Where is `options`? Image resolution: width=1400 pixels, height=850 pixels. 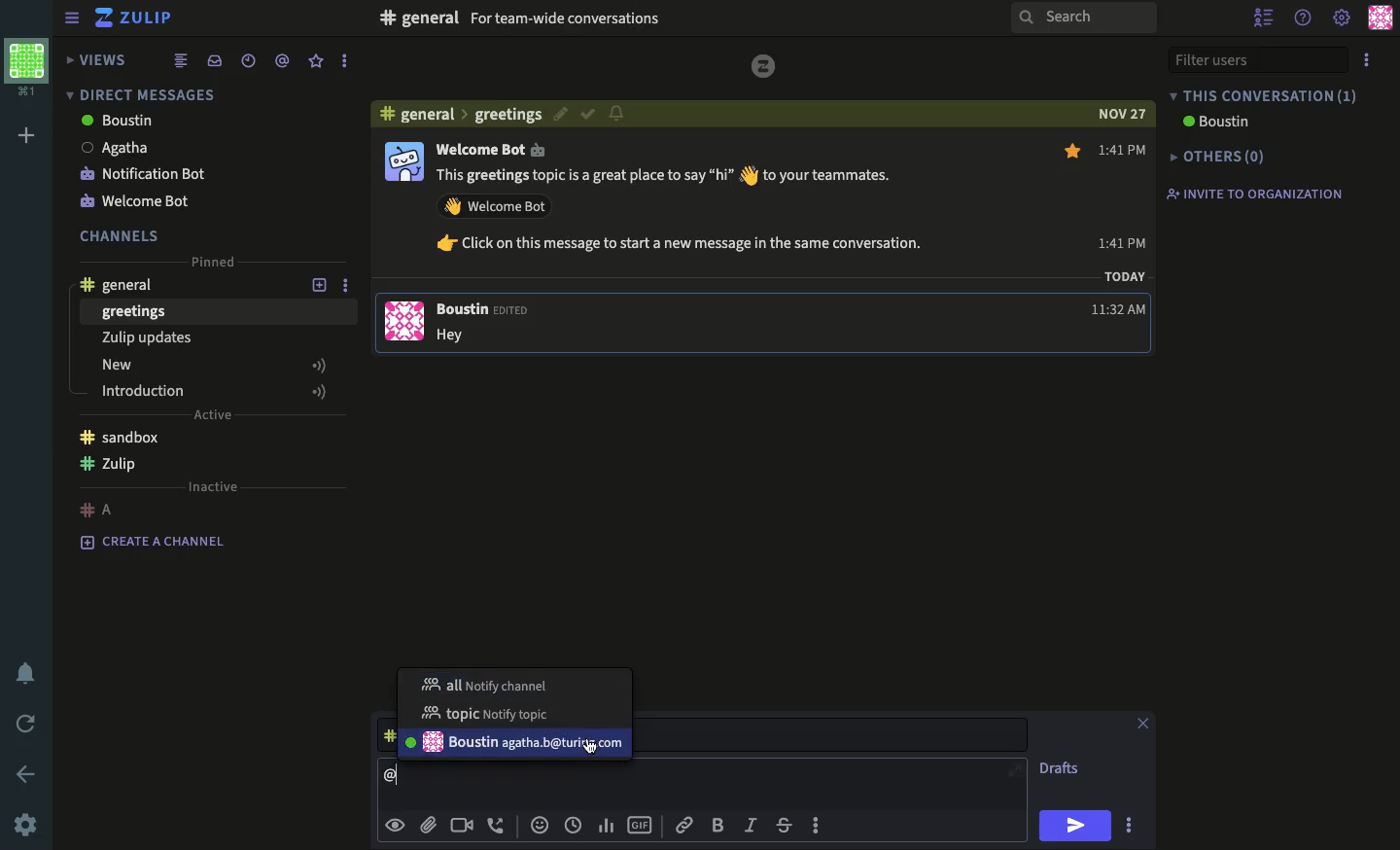
options is located at coordinates (341, 61).